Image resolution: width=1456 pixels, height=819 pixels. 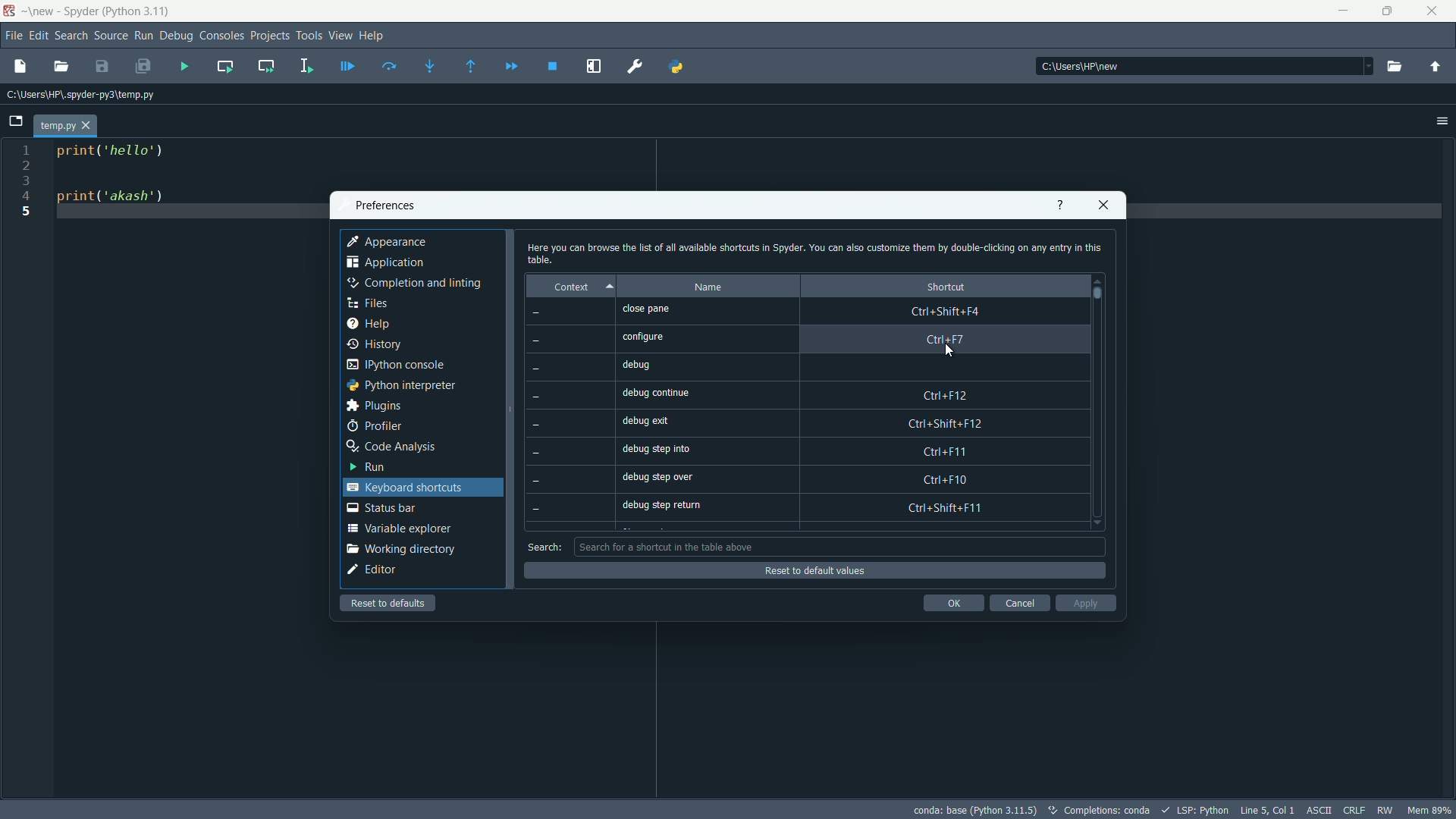 What do you see at coordinates (309, 36) in the screenshot?
I see `tools menu` at bounding box center [309, 36].